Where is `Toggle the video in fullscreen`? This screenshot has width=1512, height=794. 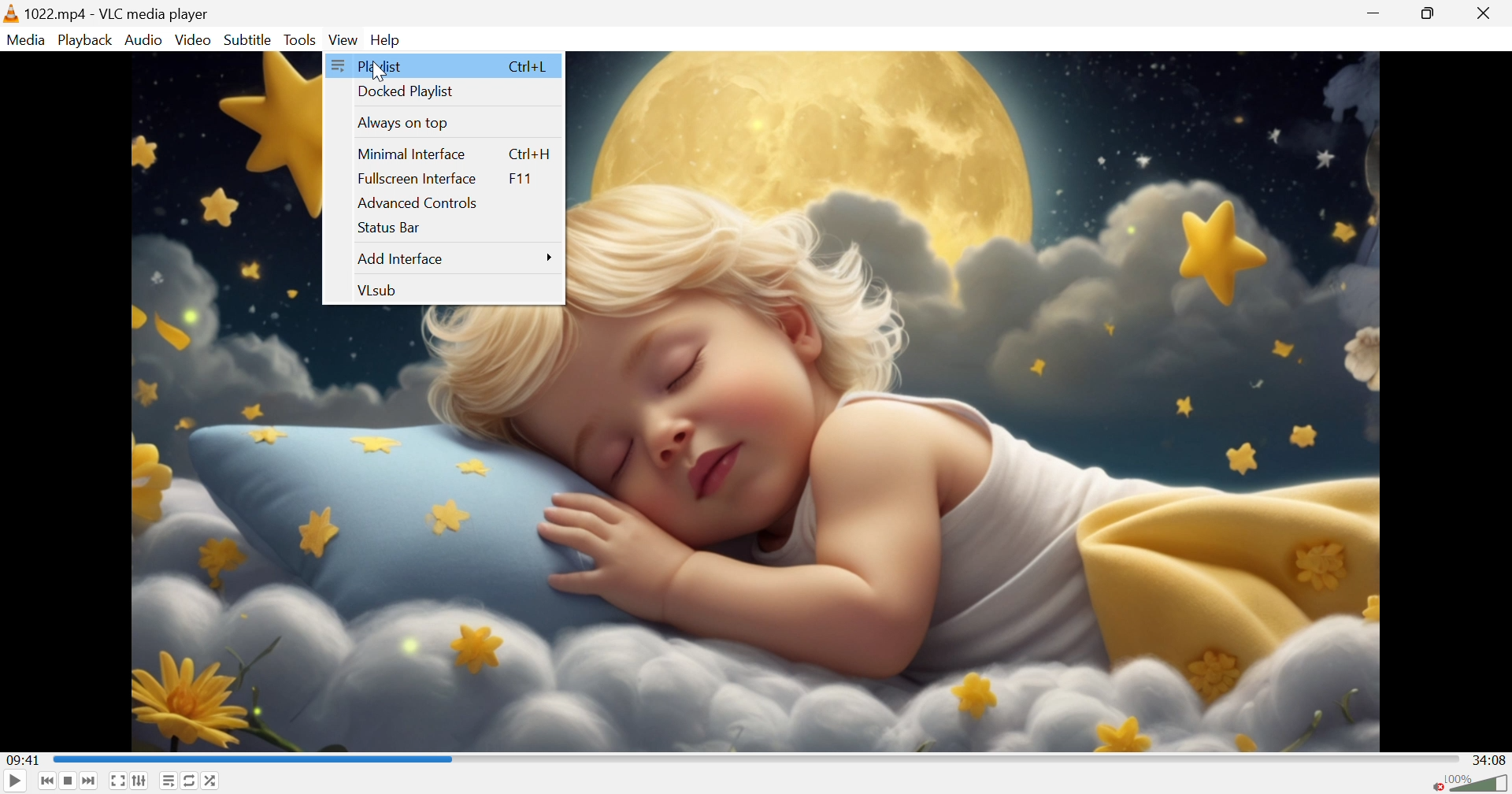 Toggle the video in fullscreen is located at coordinates (117, 782).